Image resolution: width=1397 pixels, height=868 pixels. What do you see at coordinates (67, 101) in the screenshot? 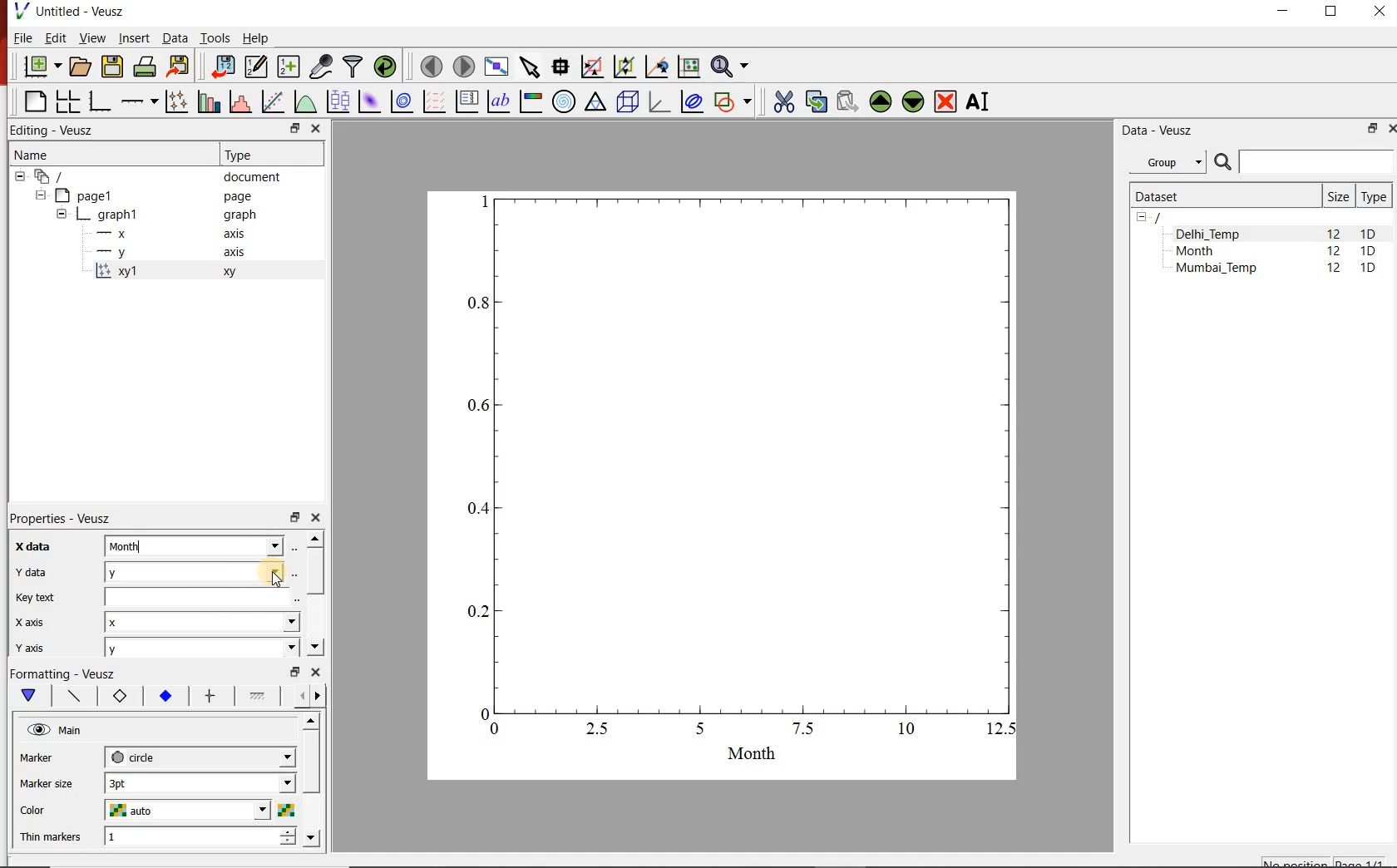
I see `arrange graphs in a grid` at bounding box center [67, 101].